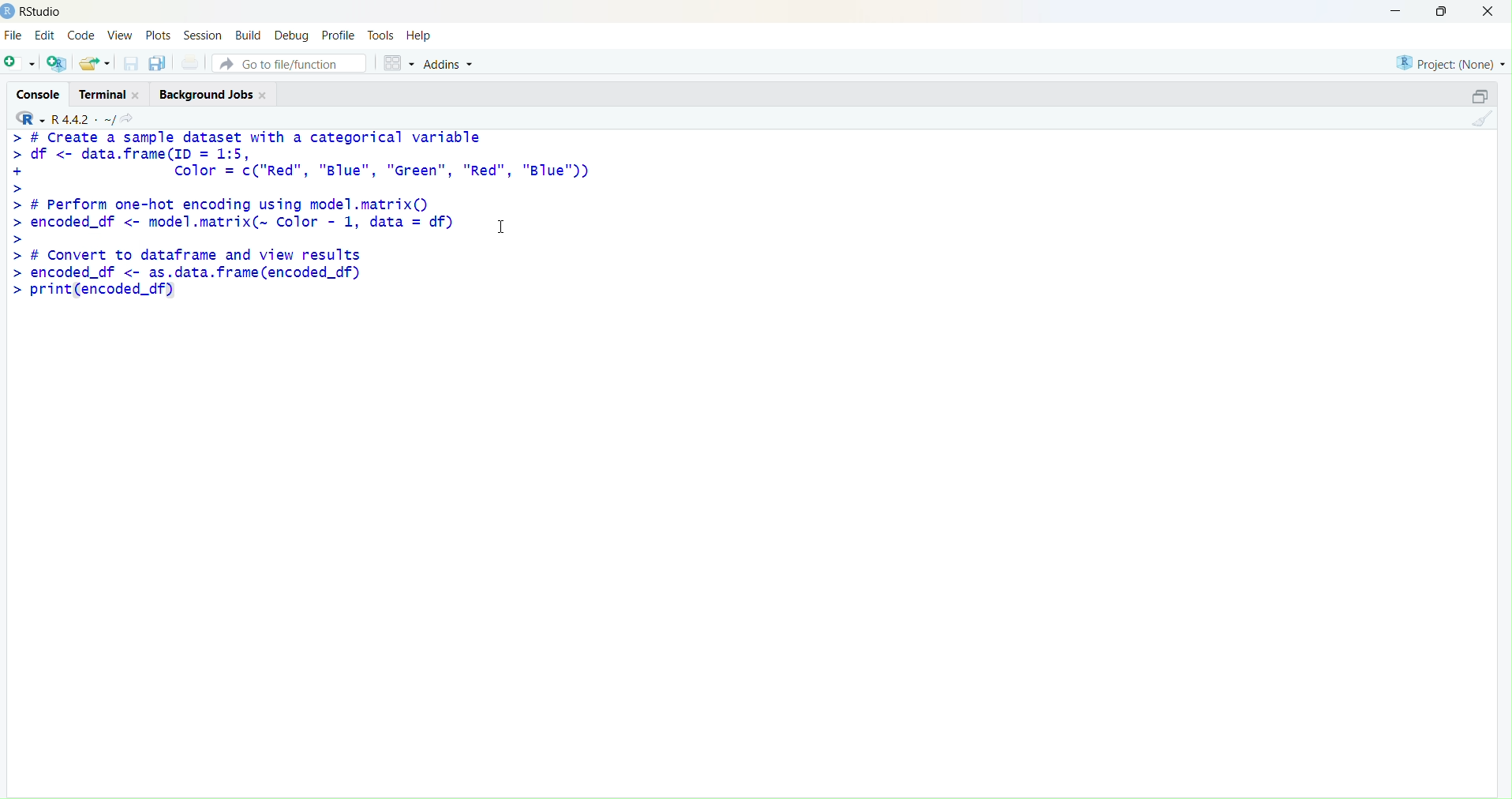  Describe the element at coordinates (1488, 10) in the screenshot. I see `close` at that location.